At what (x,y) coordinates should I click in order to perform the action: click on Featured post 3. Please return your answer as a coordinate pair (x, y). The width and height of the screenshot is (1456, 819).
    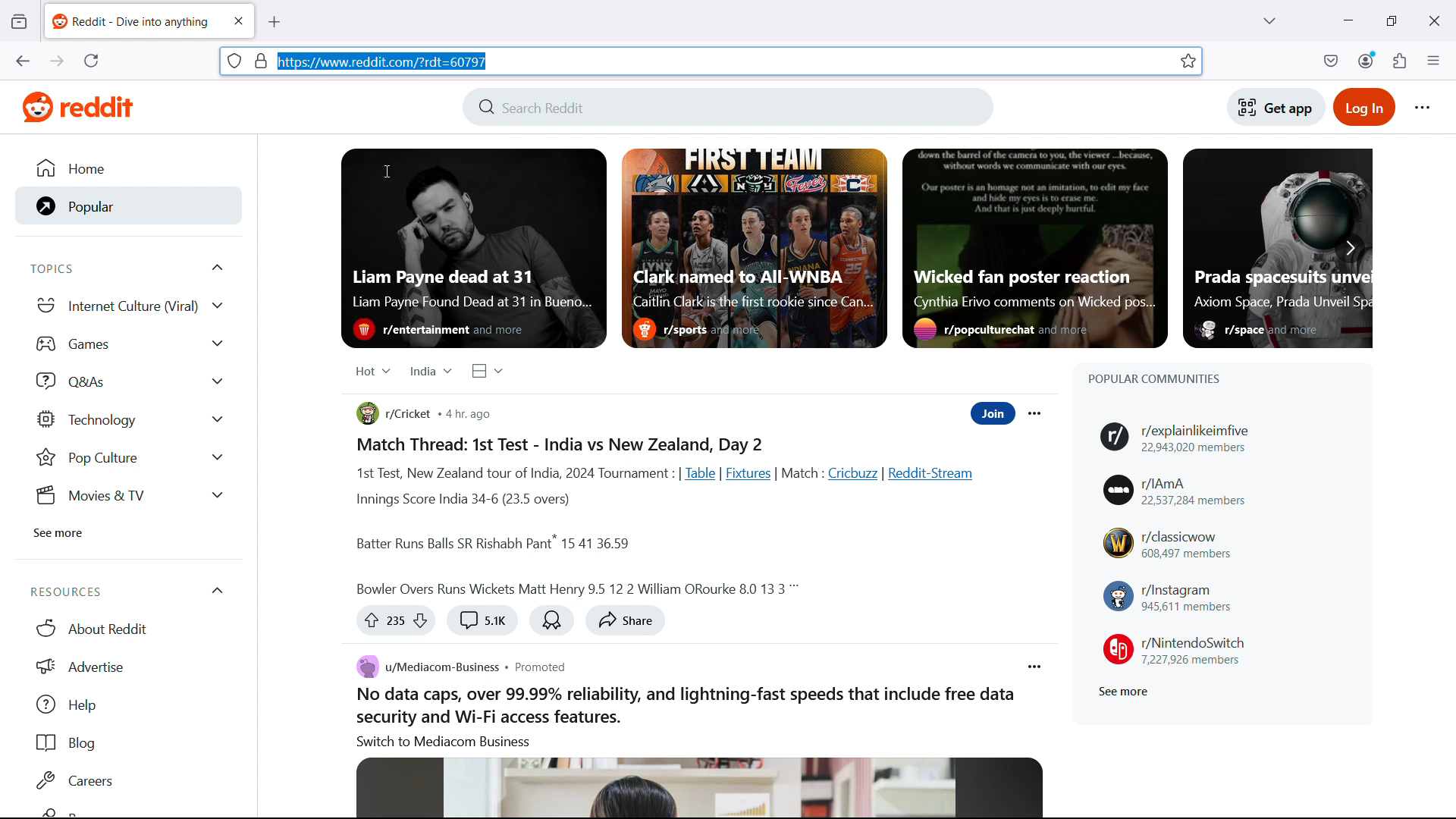
    Looking at the image, I should click on (1034, 248).